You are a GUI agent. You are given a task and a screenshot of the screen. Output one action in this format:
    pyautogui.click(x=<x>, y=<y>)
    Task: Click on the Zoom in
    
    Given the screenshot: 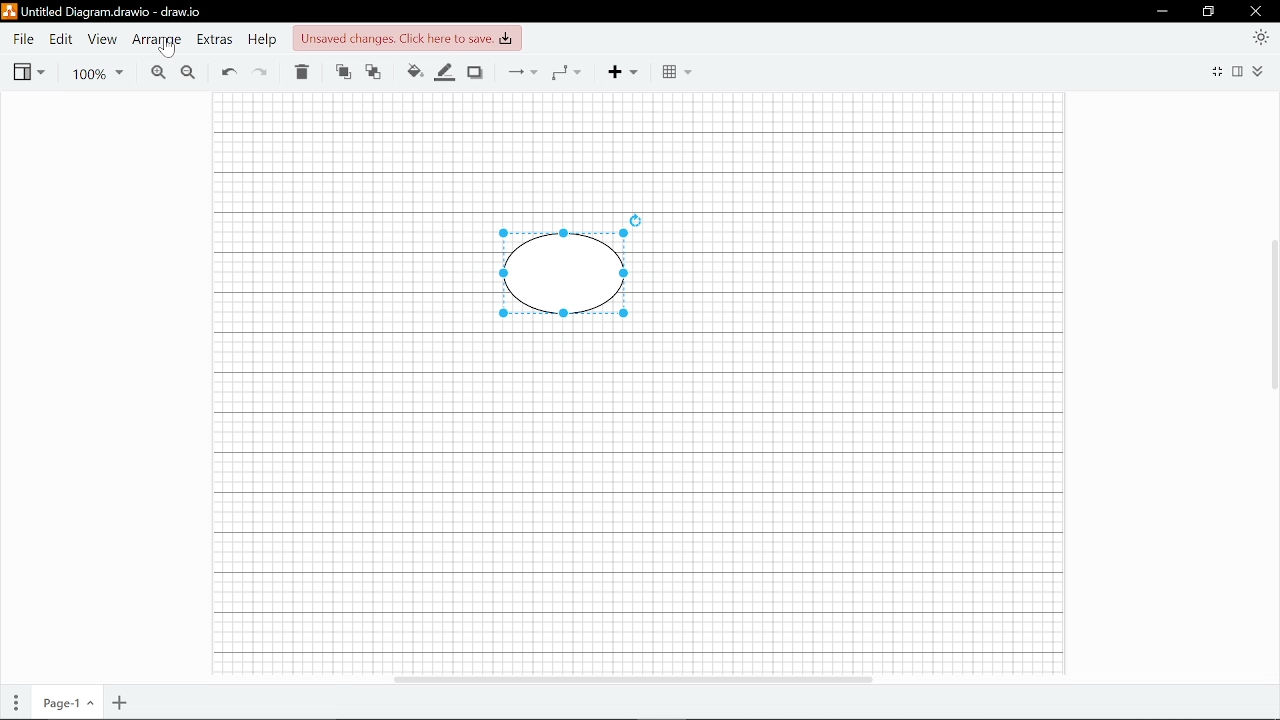 What is the action you would take?
    pyautogui.click(x=157, y=73)
    